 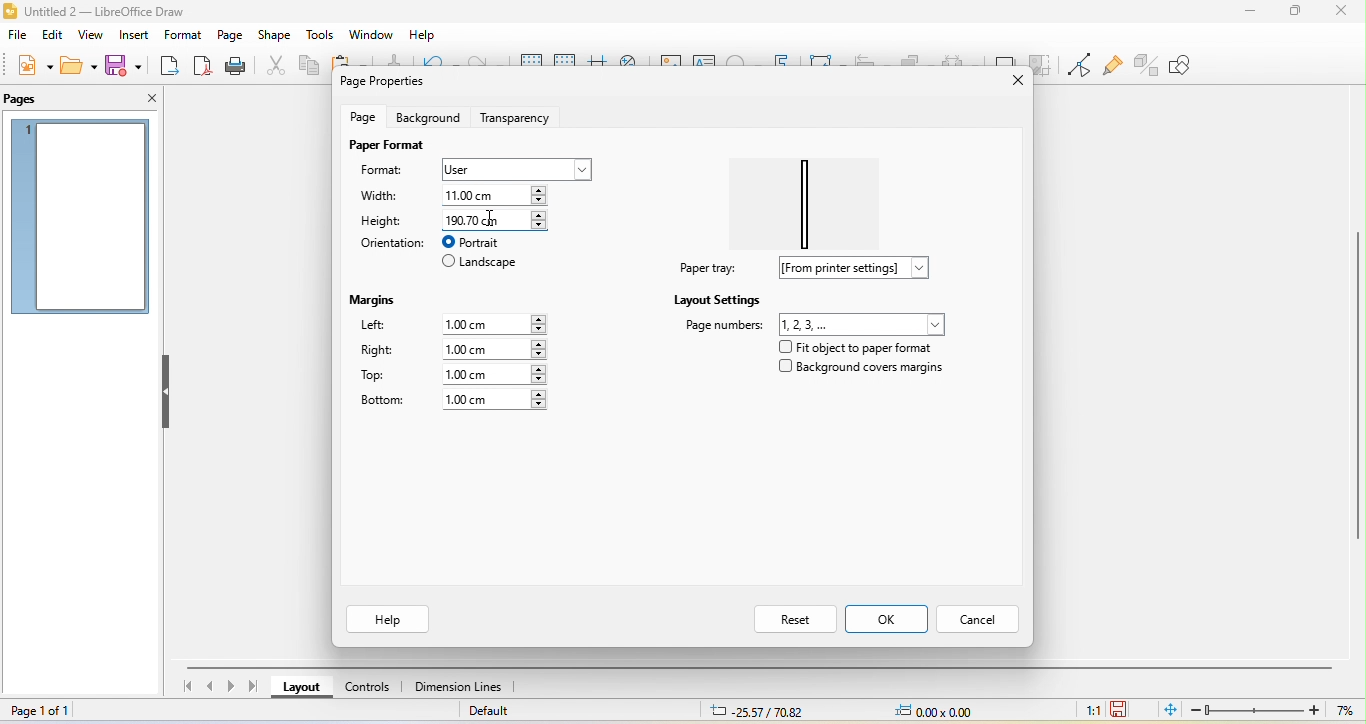 What do you see at coordinates (1110, 66) in the screenshot?
I see `show gluepoint function` at bounding box center [1110, 66].